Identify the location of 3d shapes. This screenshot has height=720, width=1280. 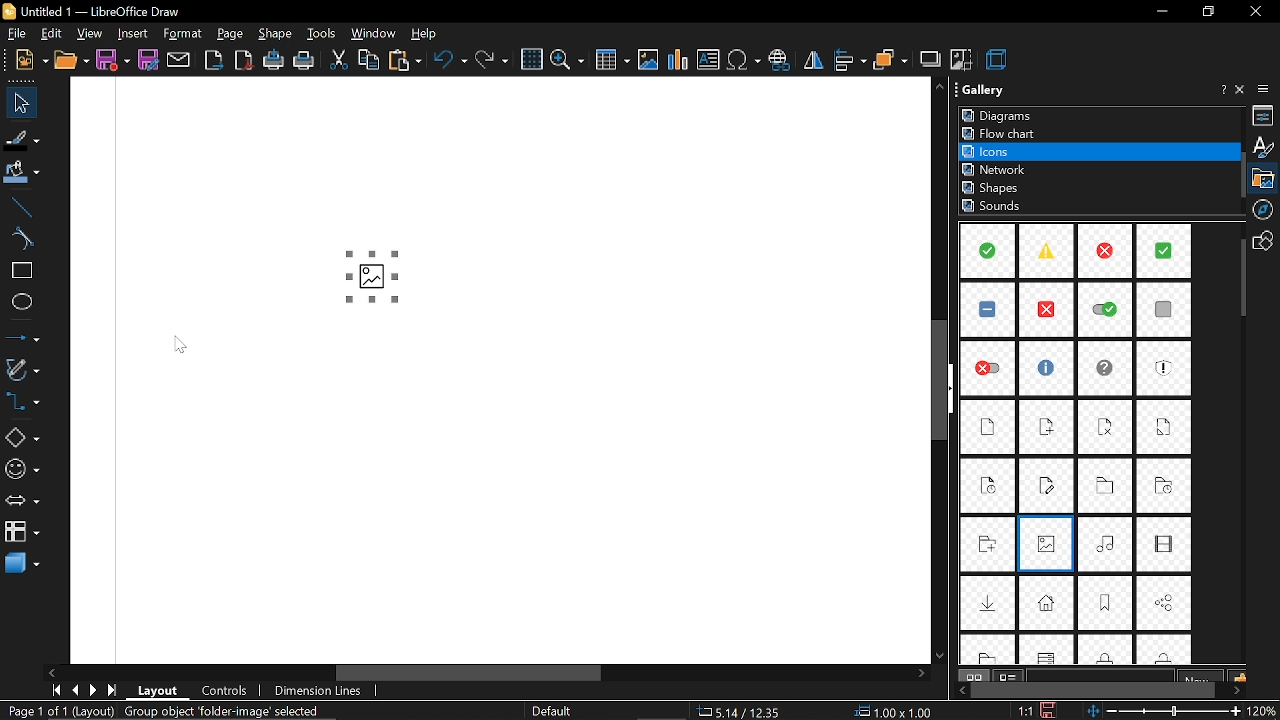
(19, 564).